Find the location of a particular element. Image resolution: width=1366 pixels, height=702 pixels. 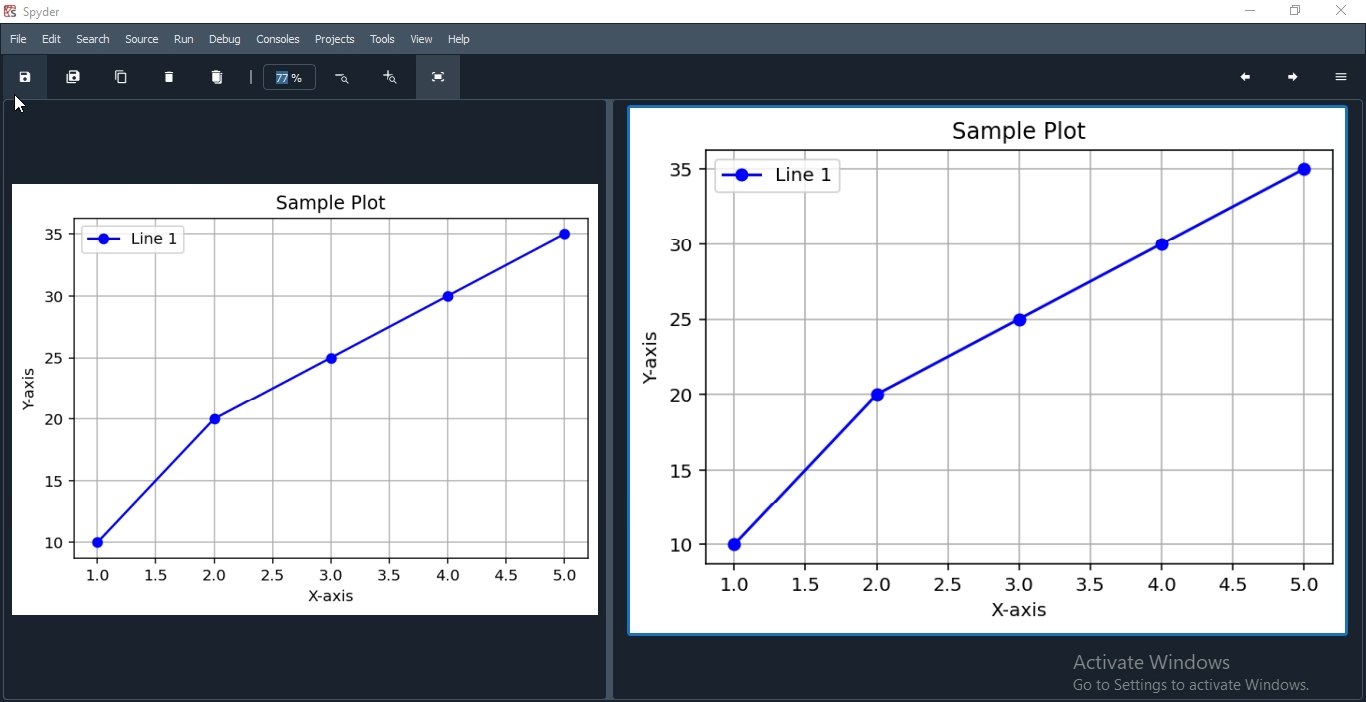

Source is located at coordinates (142, 41).